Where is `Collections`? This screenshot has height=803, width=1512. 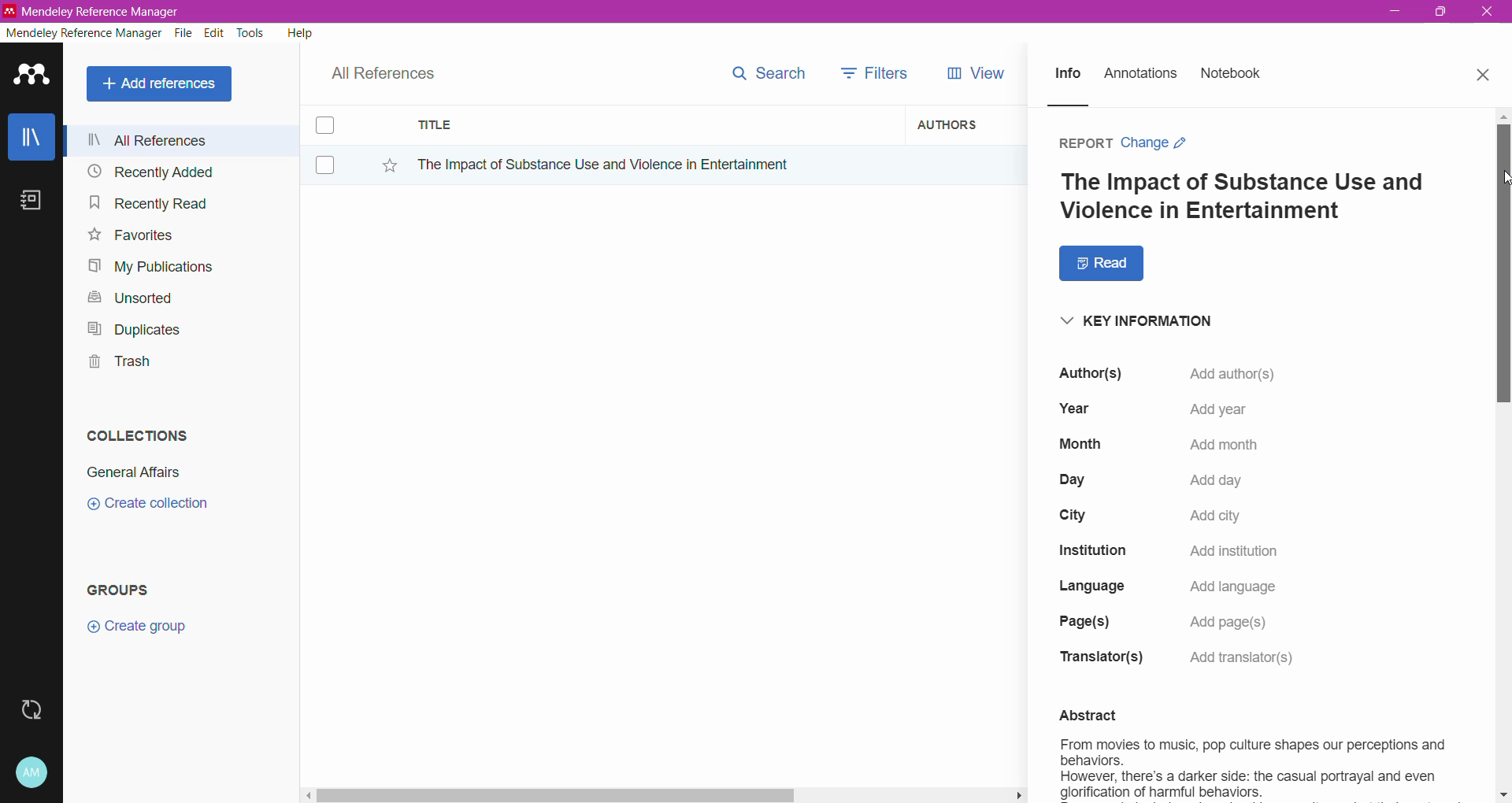 Collections is located at coordinates (133, 432).